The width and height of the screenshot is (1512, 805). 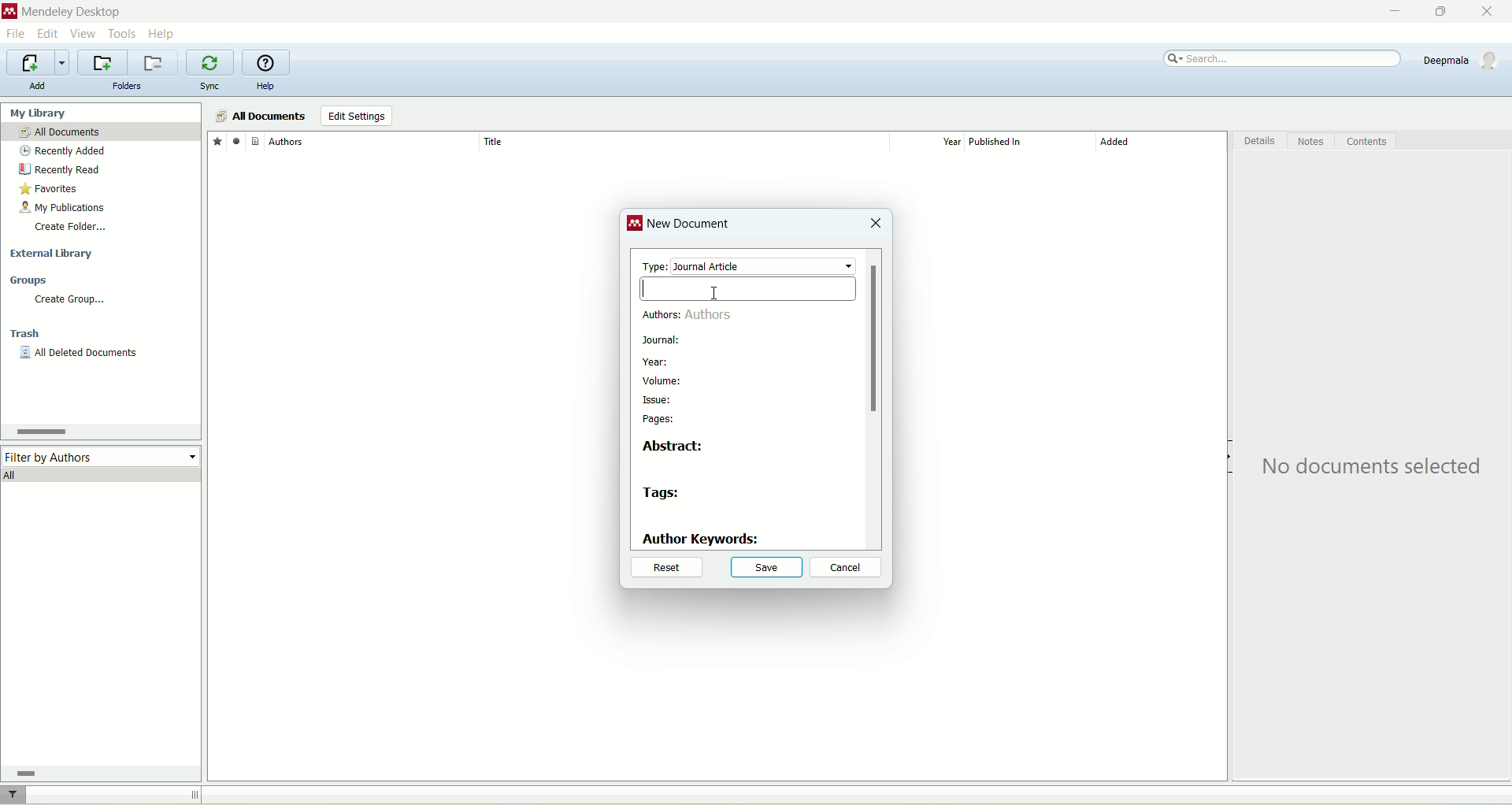 What do you see at coordinates (255, 140) in the screenshot?
I see `document` at bounding box center [255, 140].